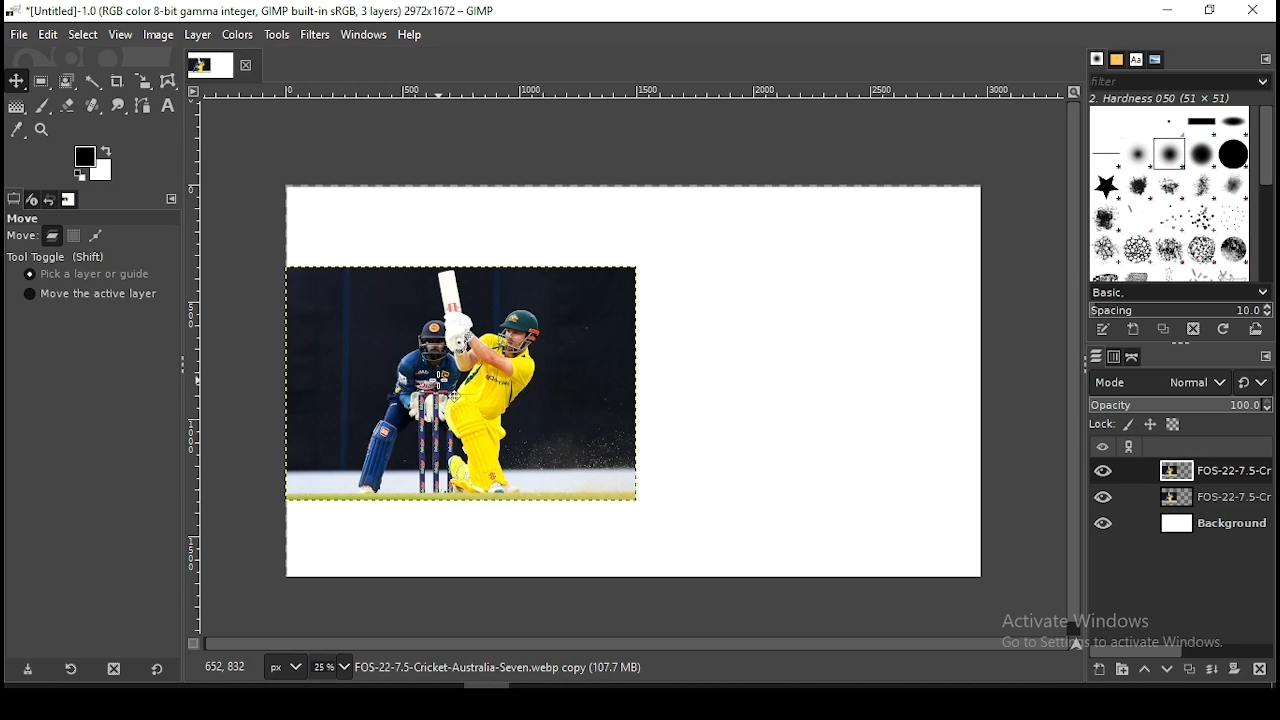  Describe the element at coordinates (1180, 291) in the screenshot. I see `brush presets` at that location.